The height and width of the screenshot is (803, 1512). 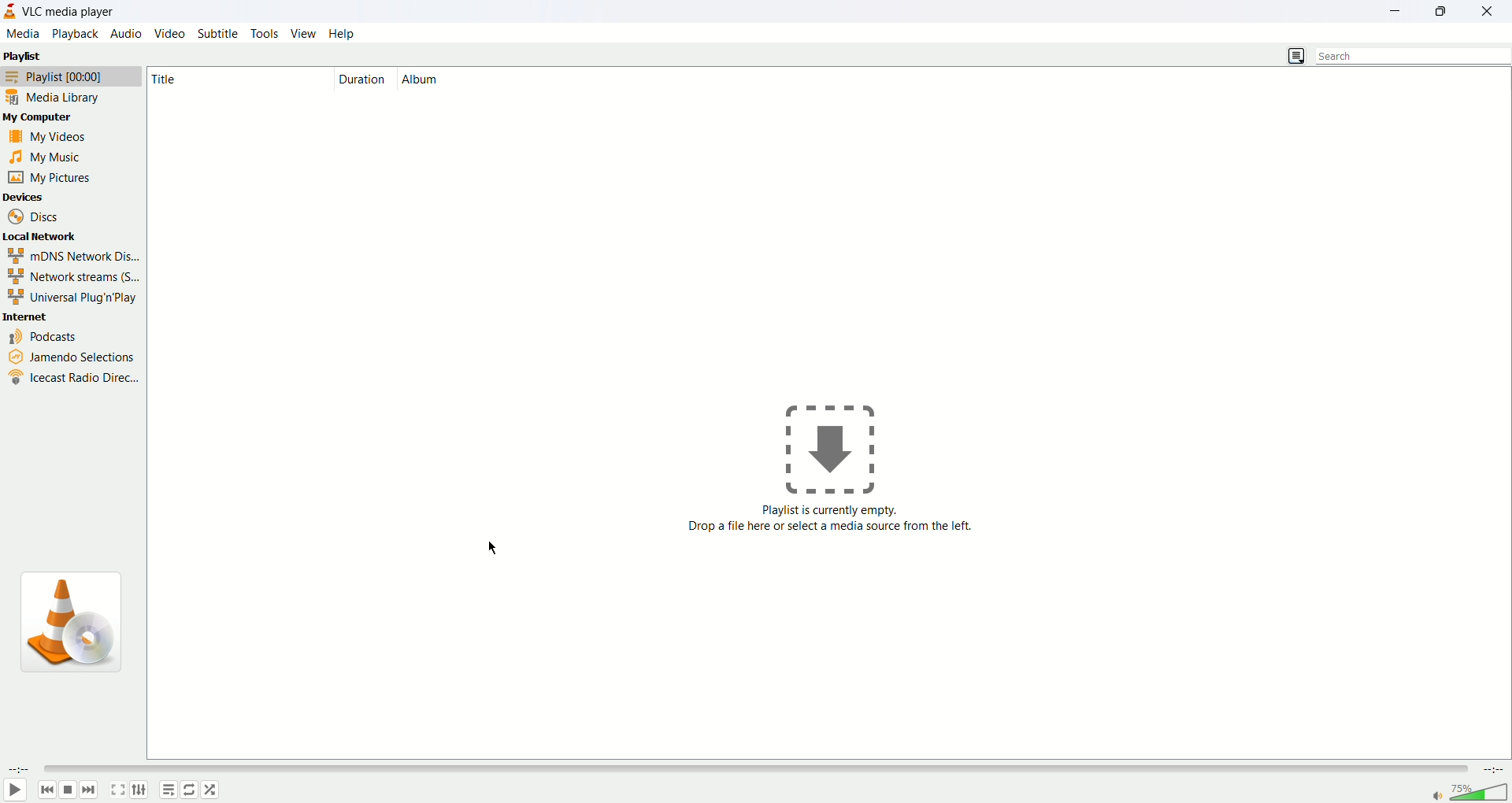 I want to click on subtitle, so click(x=216, y=34).